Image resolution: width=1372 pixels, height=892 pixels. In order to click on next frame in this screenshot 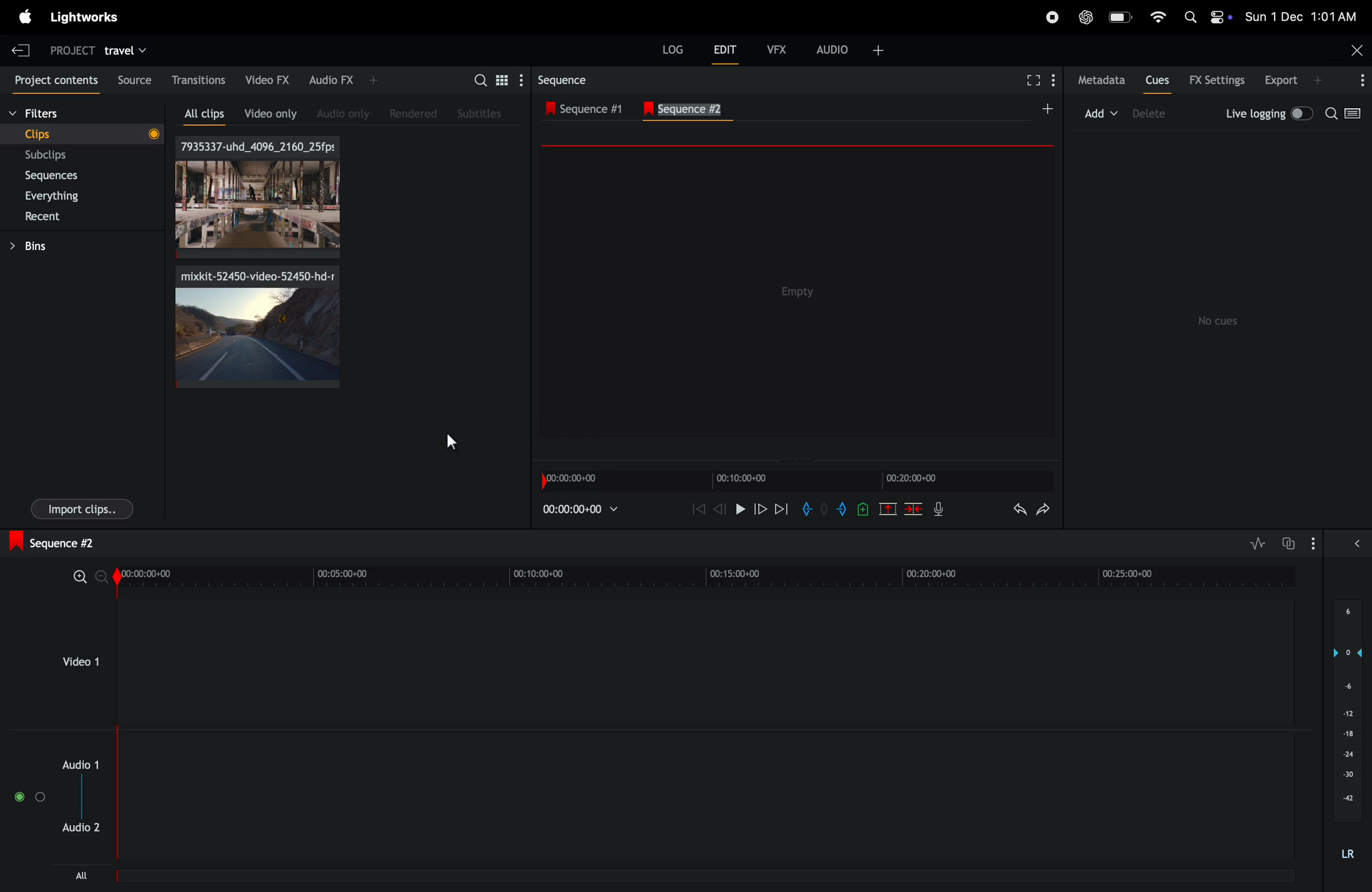, I will do `click(718, 508)`.